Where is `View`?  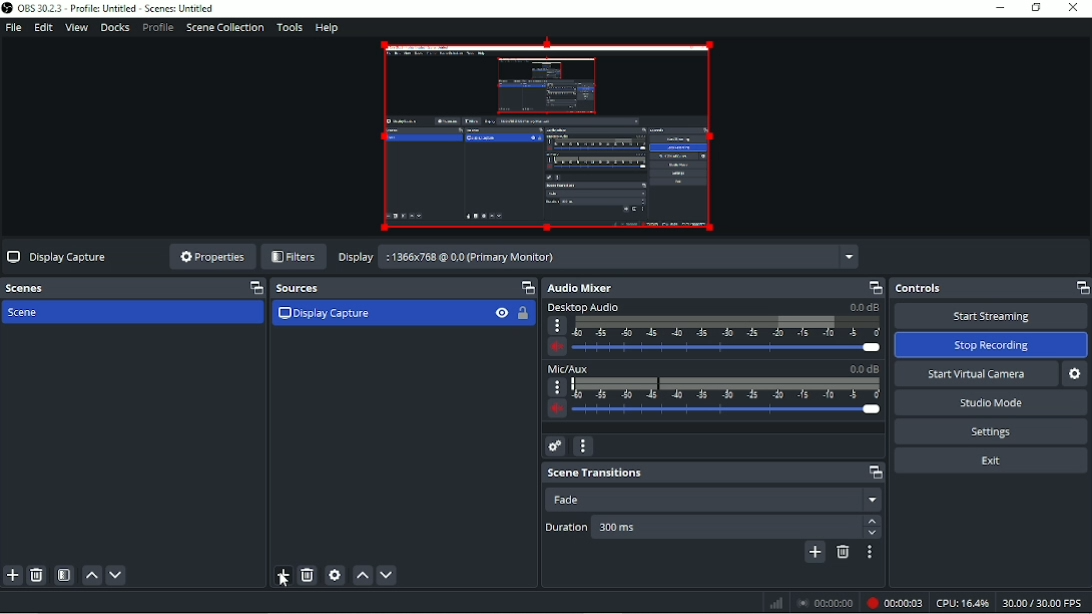 View is located at coordinates (76, 27).